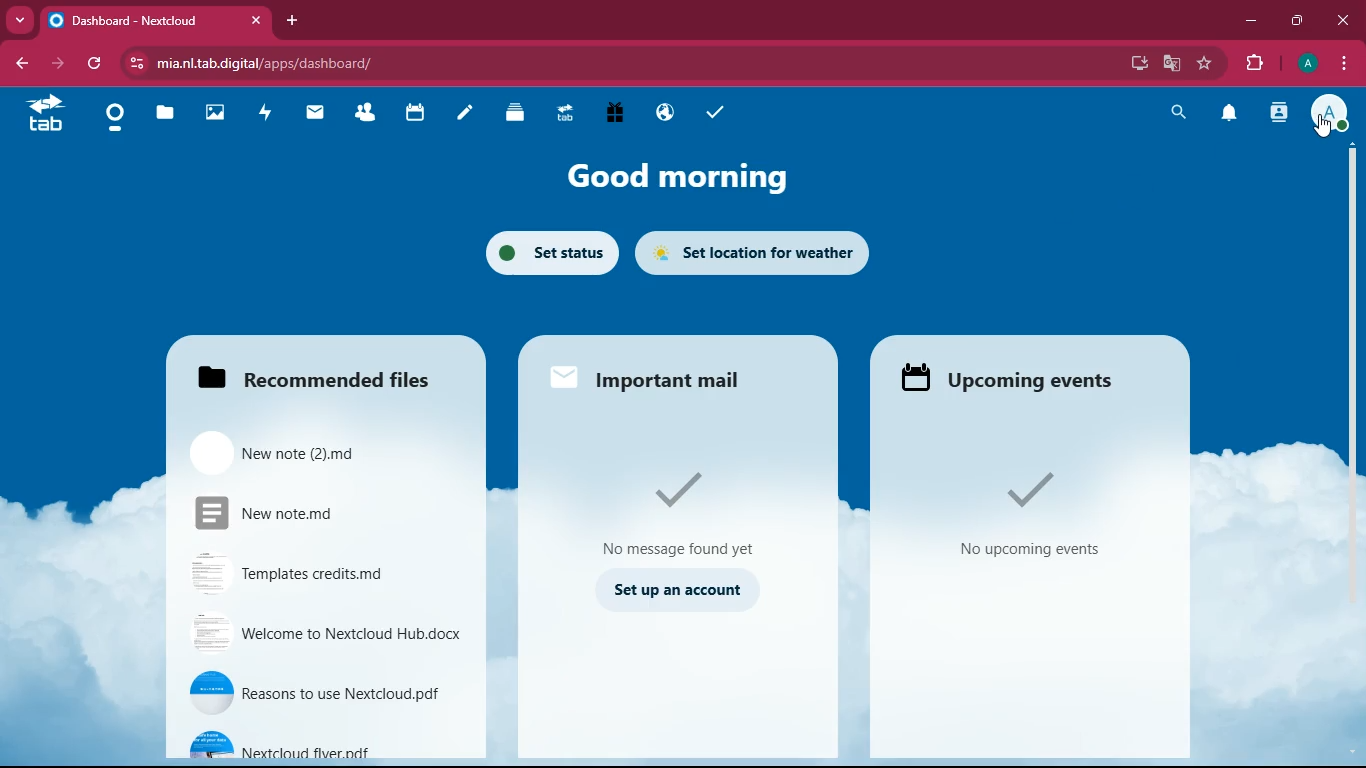  Describe the element at coordinates (1342, 22) in the screenshot. I see `close` at that location.